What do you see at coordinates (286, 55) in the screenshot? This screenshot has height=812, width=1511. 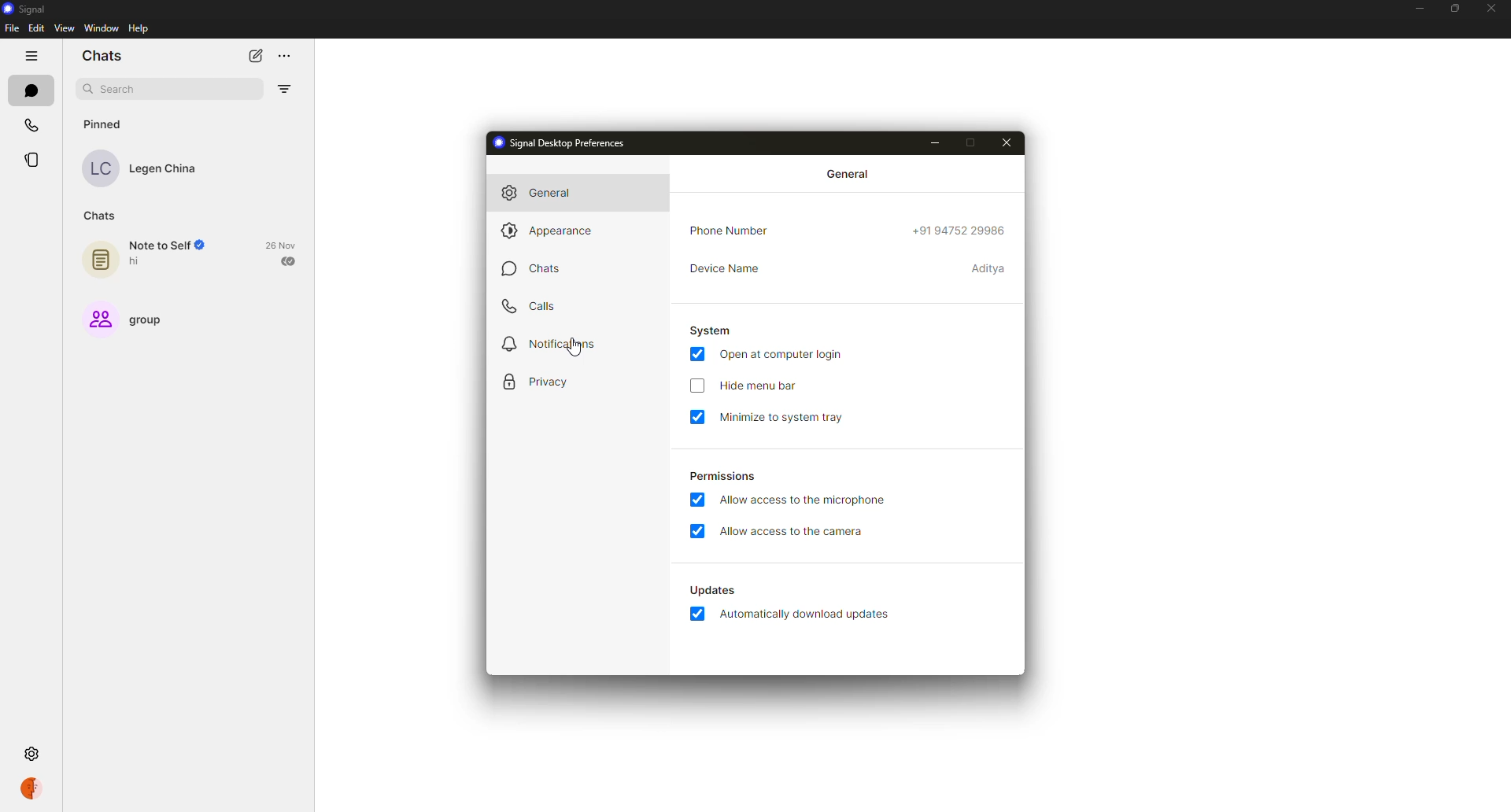 I see `more` at bounding box center [286, 55].